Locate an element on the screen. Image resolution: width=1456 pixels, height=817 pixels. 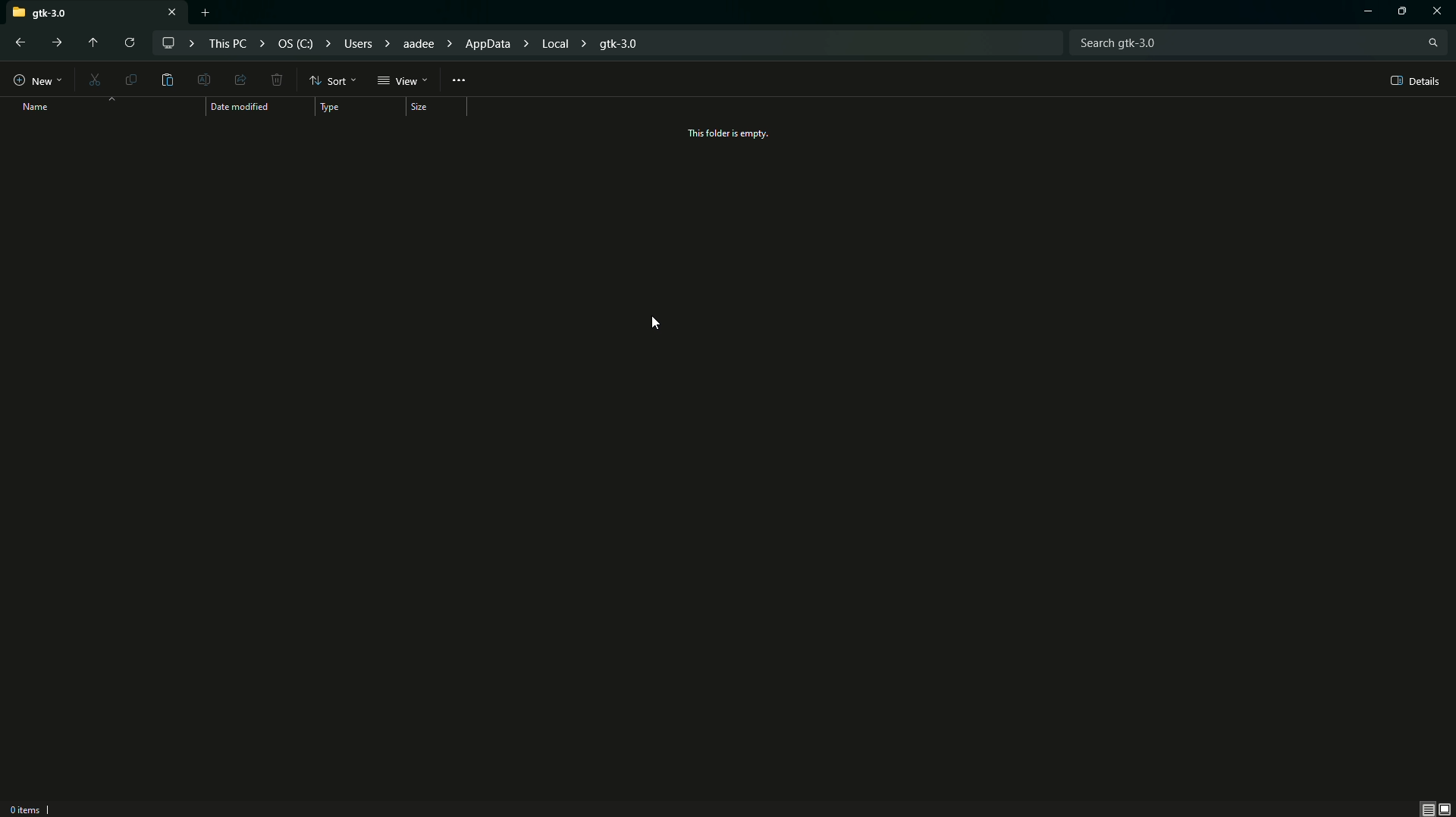
Cursor is located at coordinates (655, 321).